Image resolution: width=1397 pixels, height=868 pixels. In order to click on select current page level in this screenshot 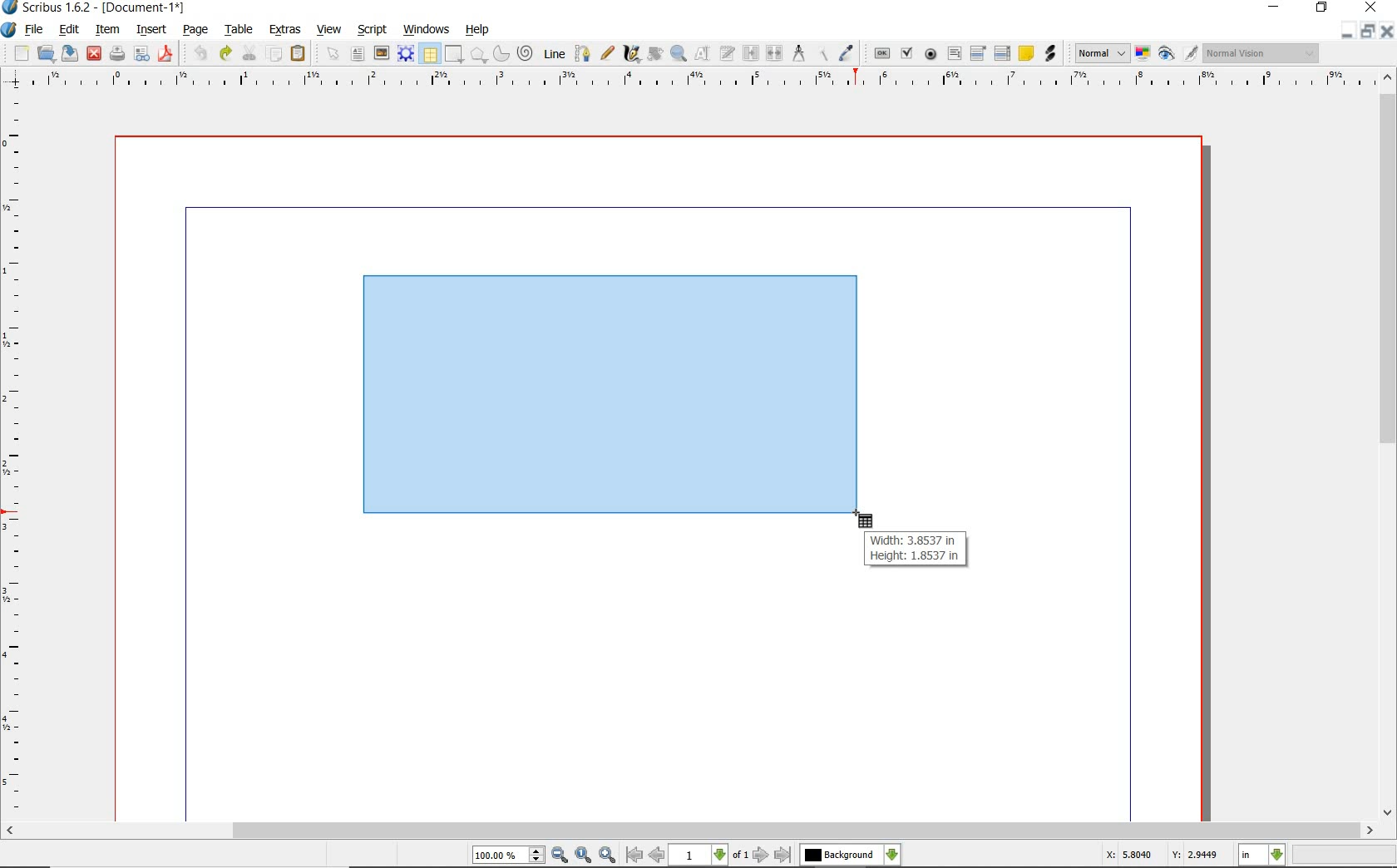, I will do `click(709, 855)`.